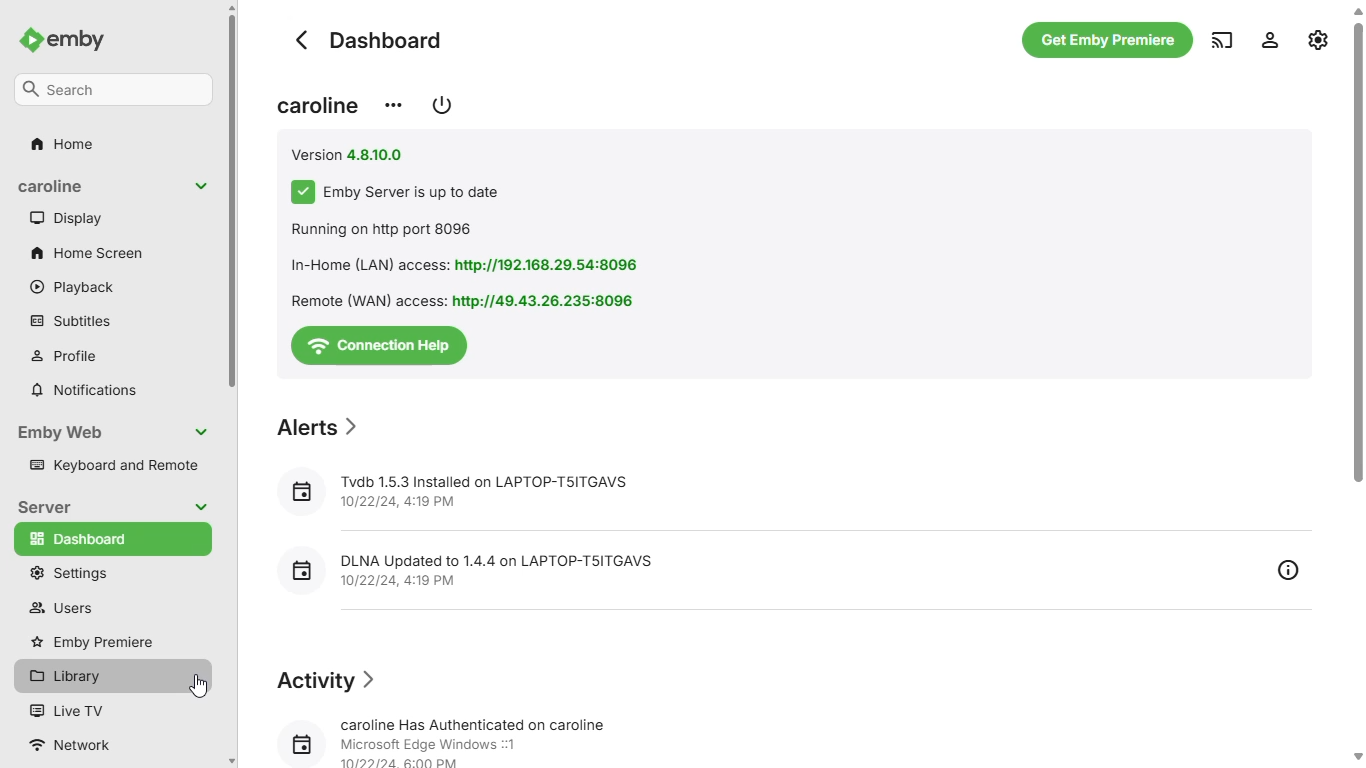  Describe the element at coordinates (458, 486) in the screenshot. I see `fg Tv 153 Installed on LAPTOP-TSITGAVS
10/22/24, 4:19 PM` at that location.